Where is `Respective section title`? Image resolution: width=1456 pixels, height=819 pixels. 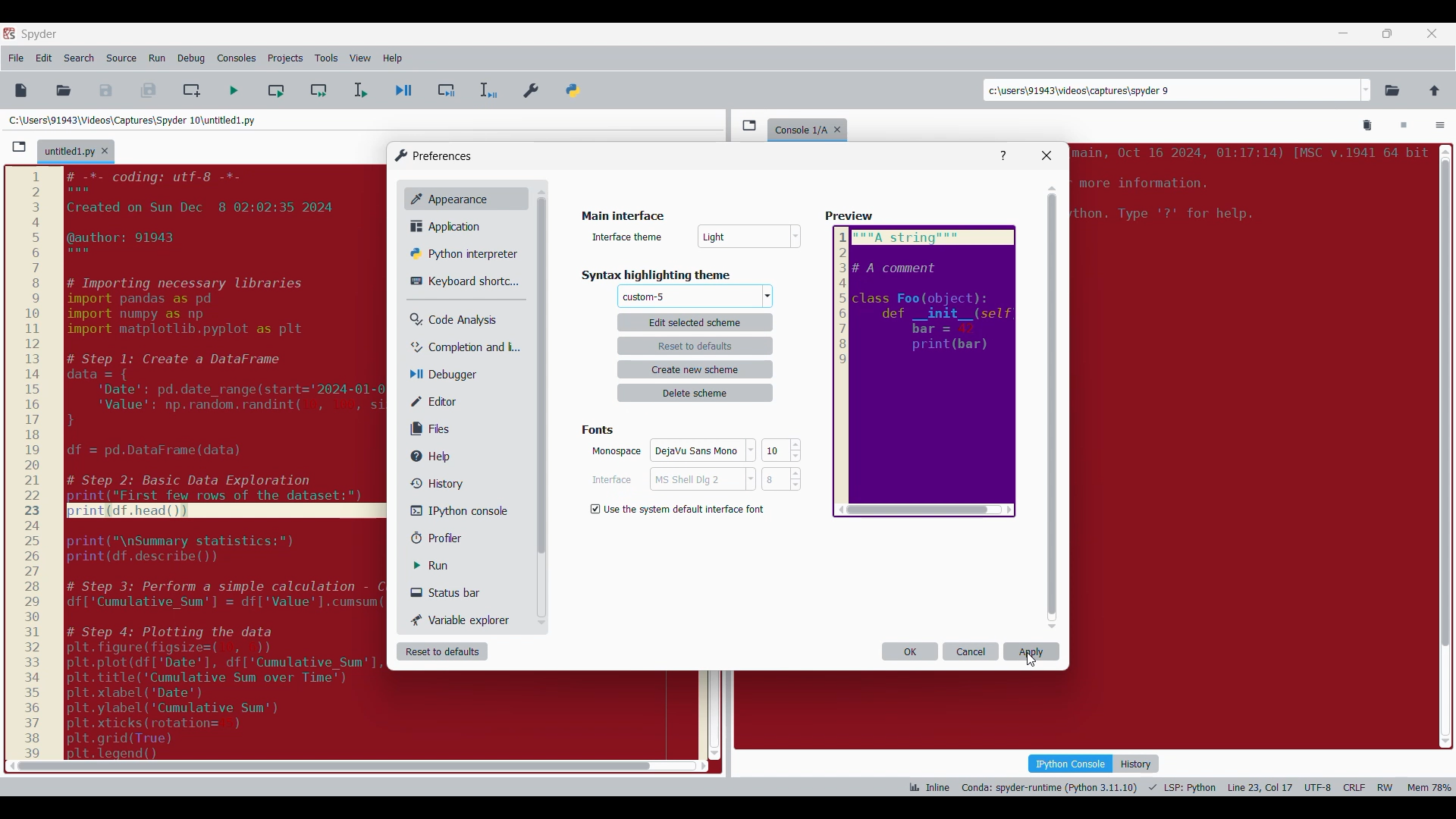
Respective section title is located at coordinates (667, 275).